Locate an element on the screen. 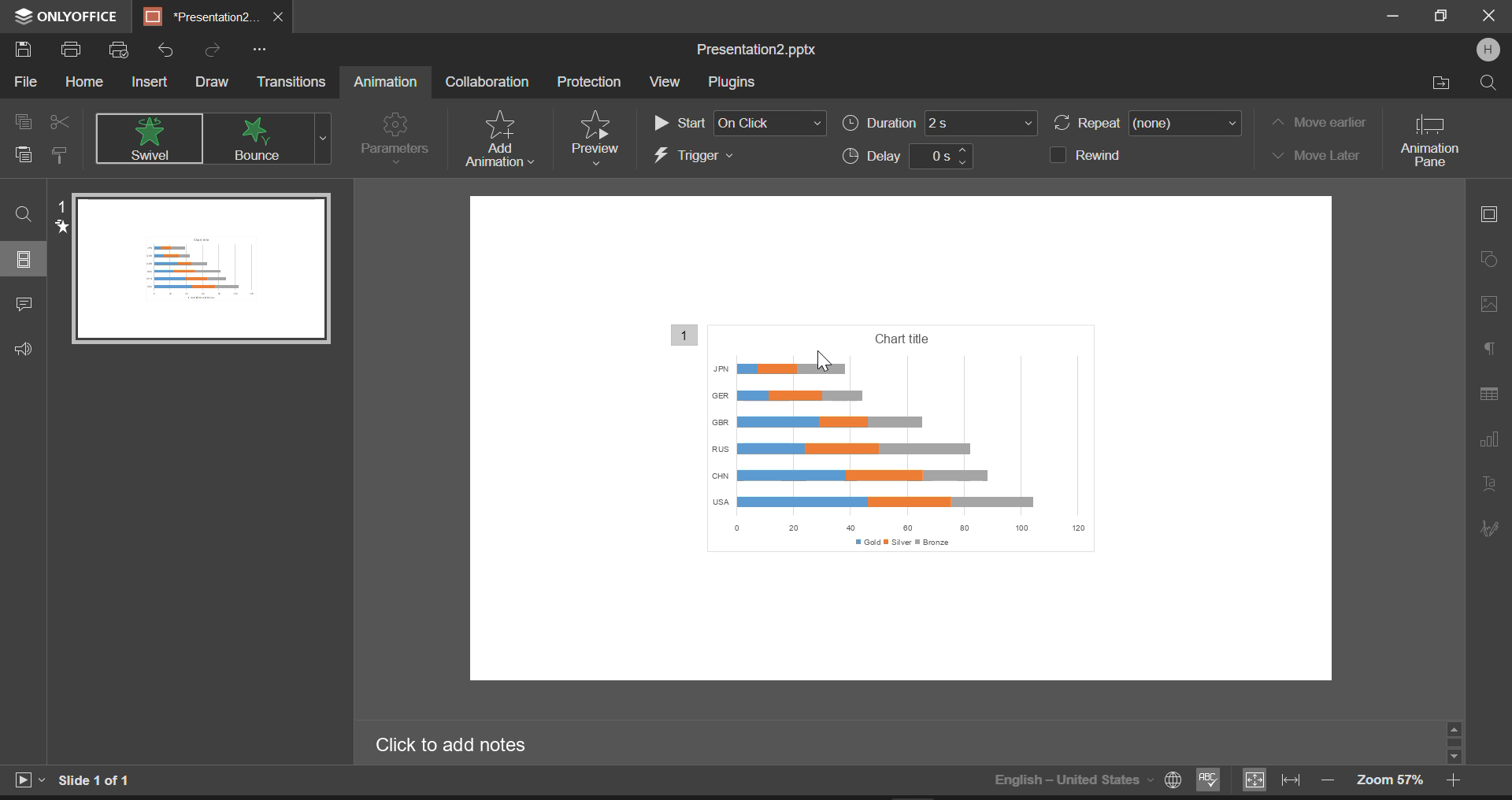 The width and height of the screenshot is (1512, 800). Chart selected is located at coordinates (911, 443).